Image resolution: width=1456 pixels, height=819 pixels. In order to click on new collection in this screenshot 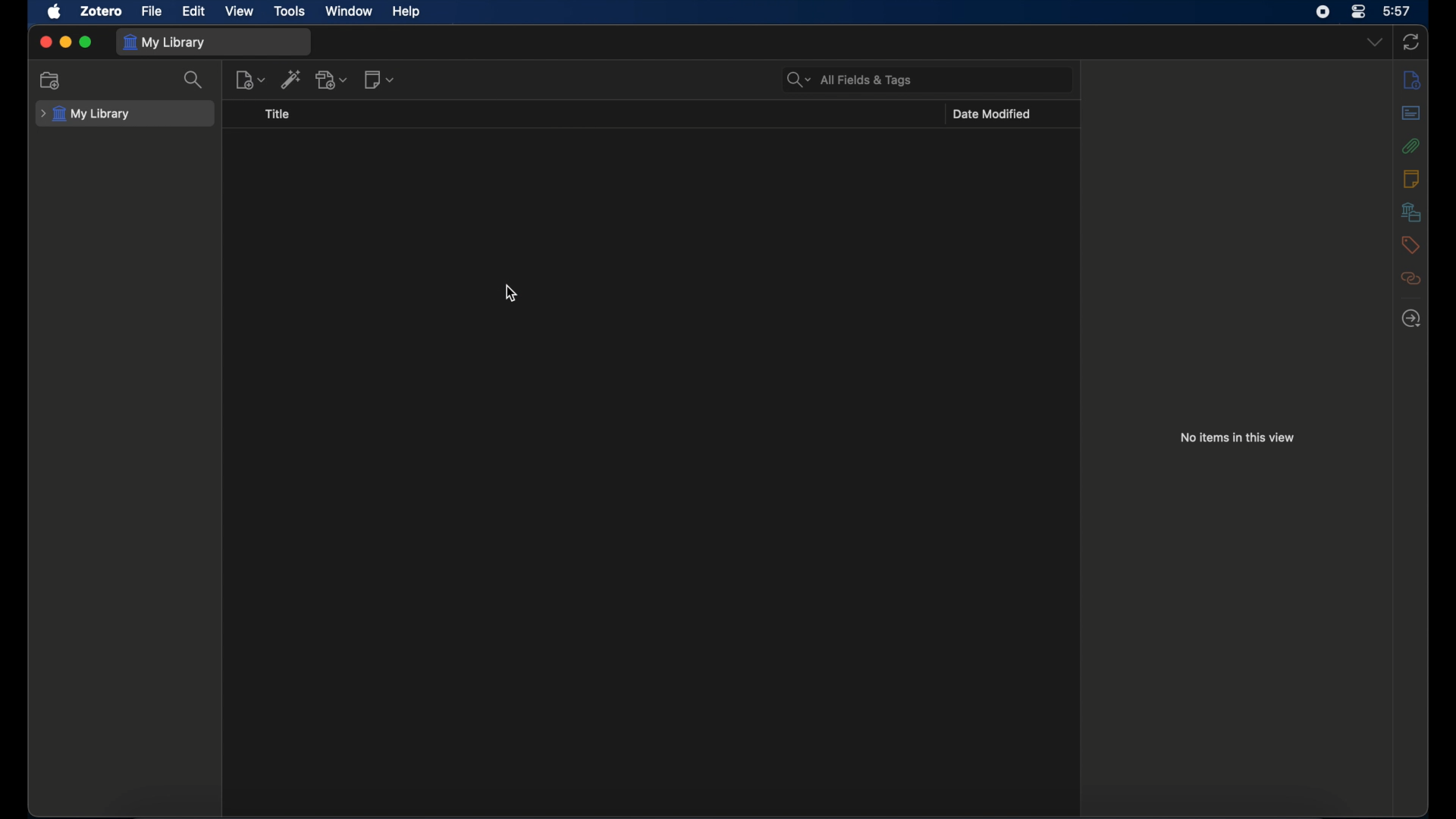, I will do `click(51, 80)`.